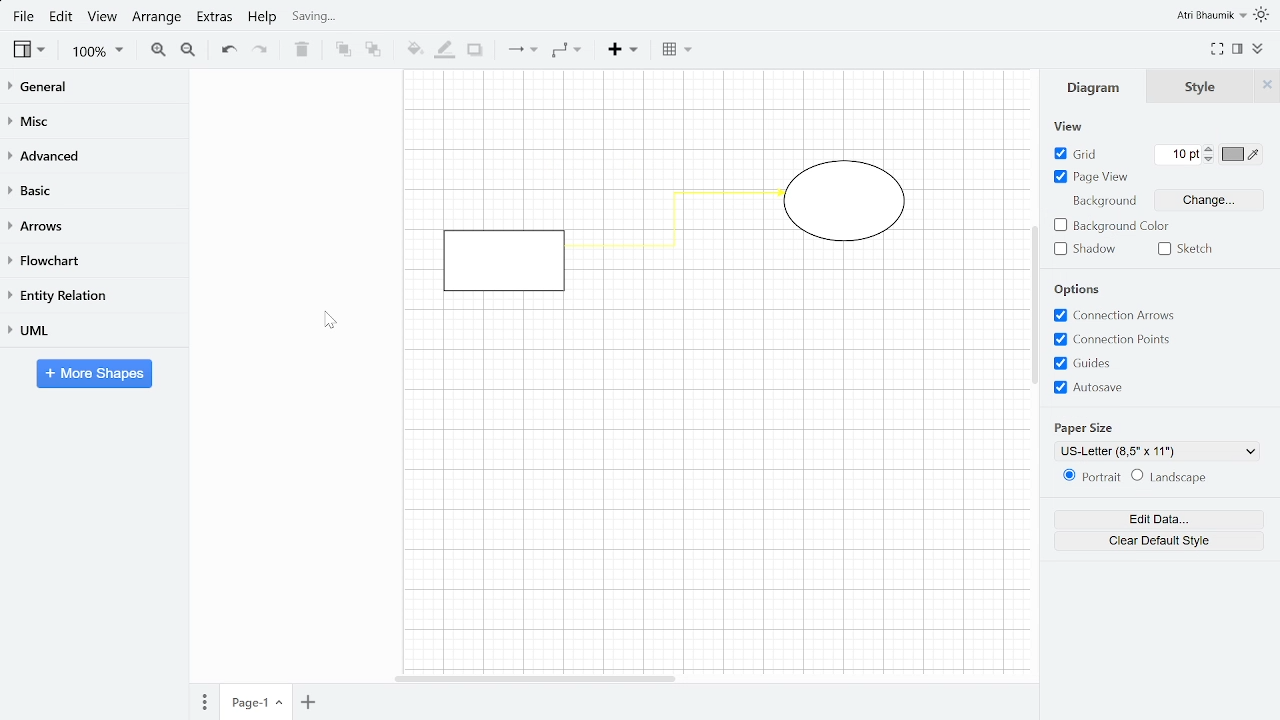  What do you see at coordinates (676, 51) in the screenshot?
I see `Yable` at bounding box center [676, 51].